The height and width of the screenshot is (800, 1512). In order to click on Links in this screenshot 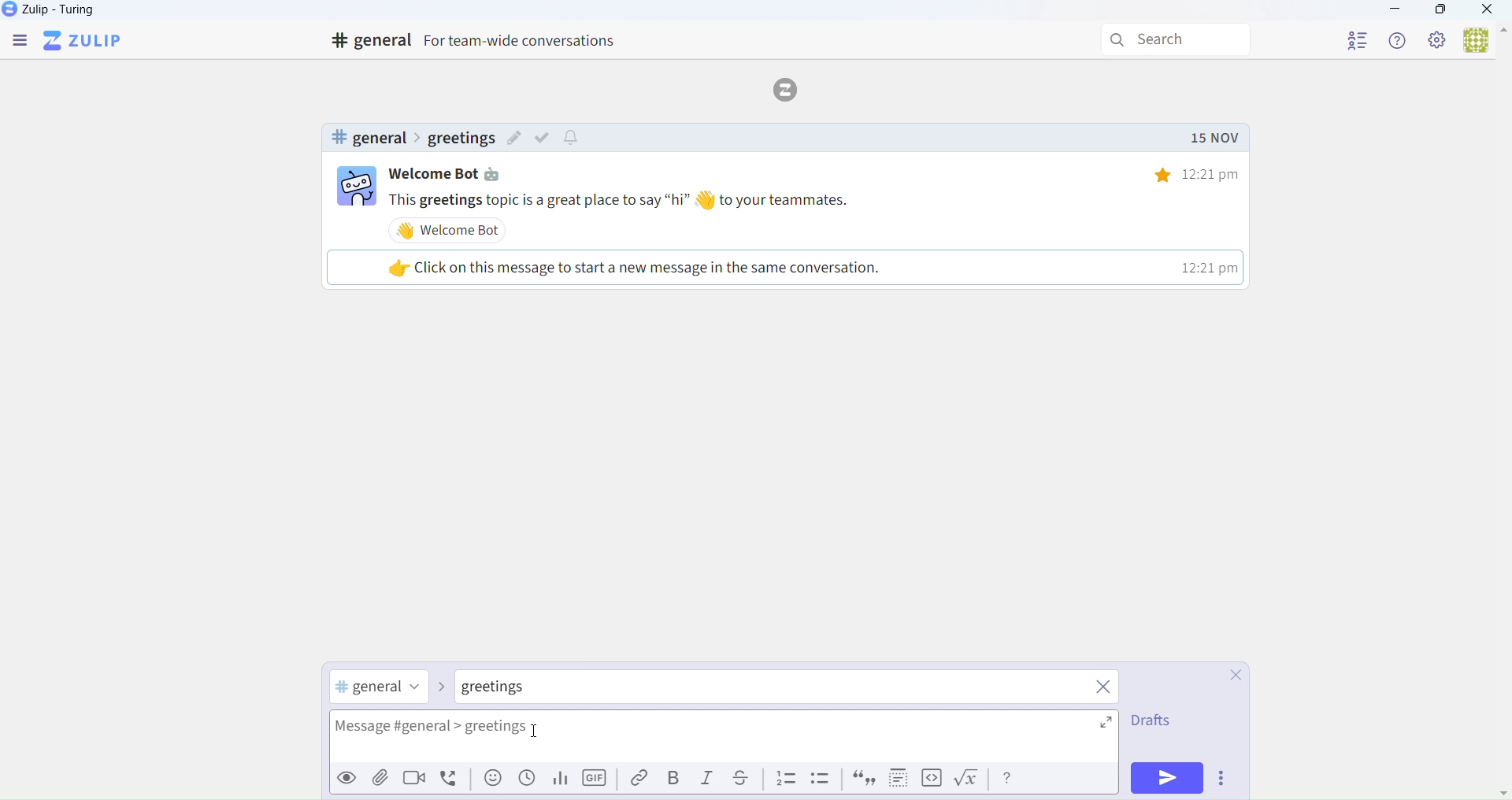, I will do `click(635, 779)`.